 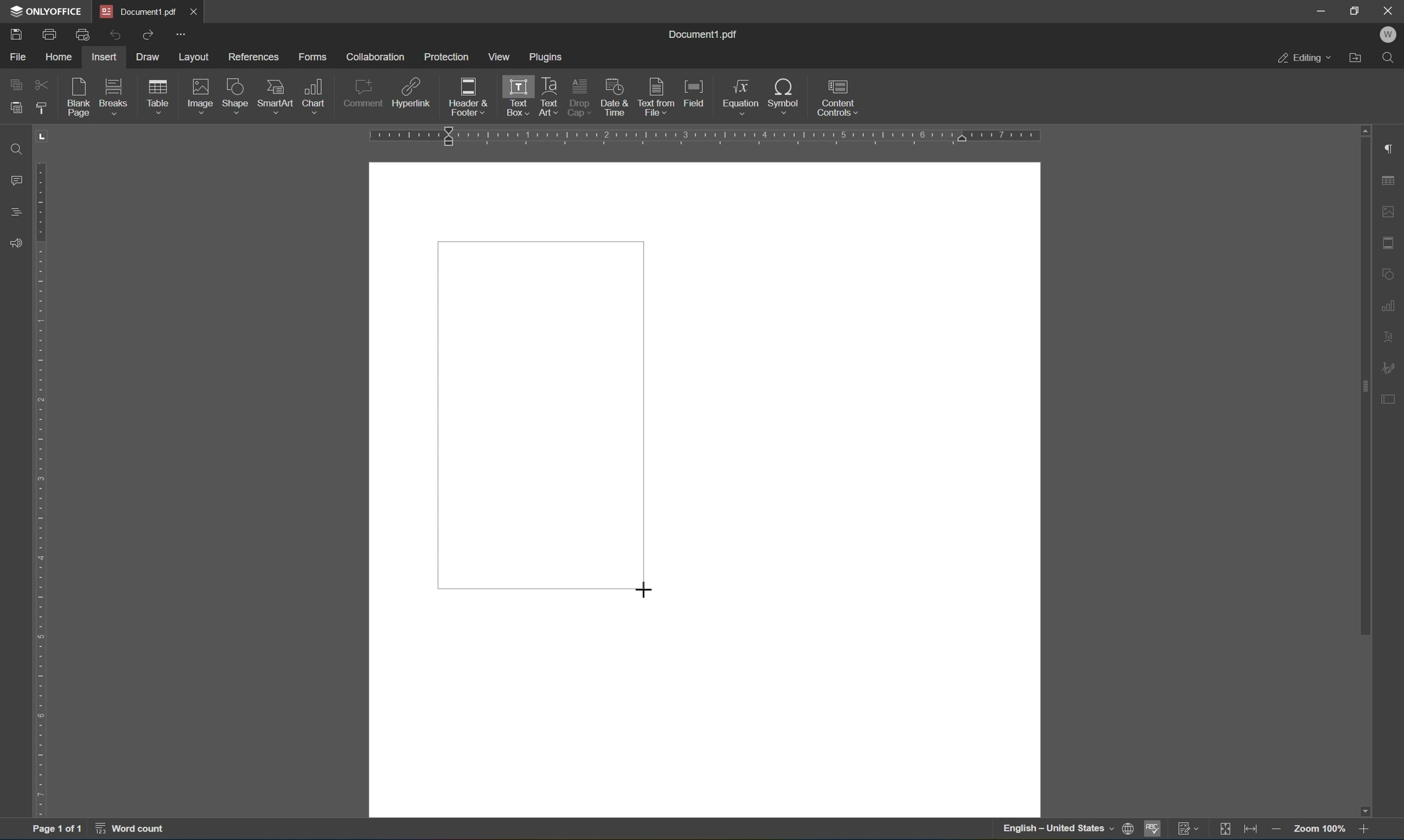 I want to click on set document language, so click(x=1129, y=828).